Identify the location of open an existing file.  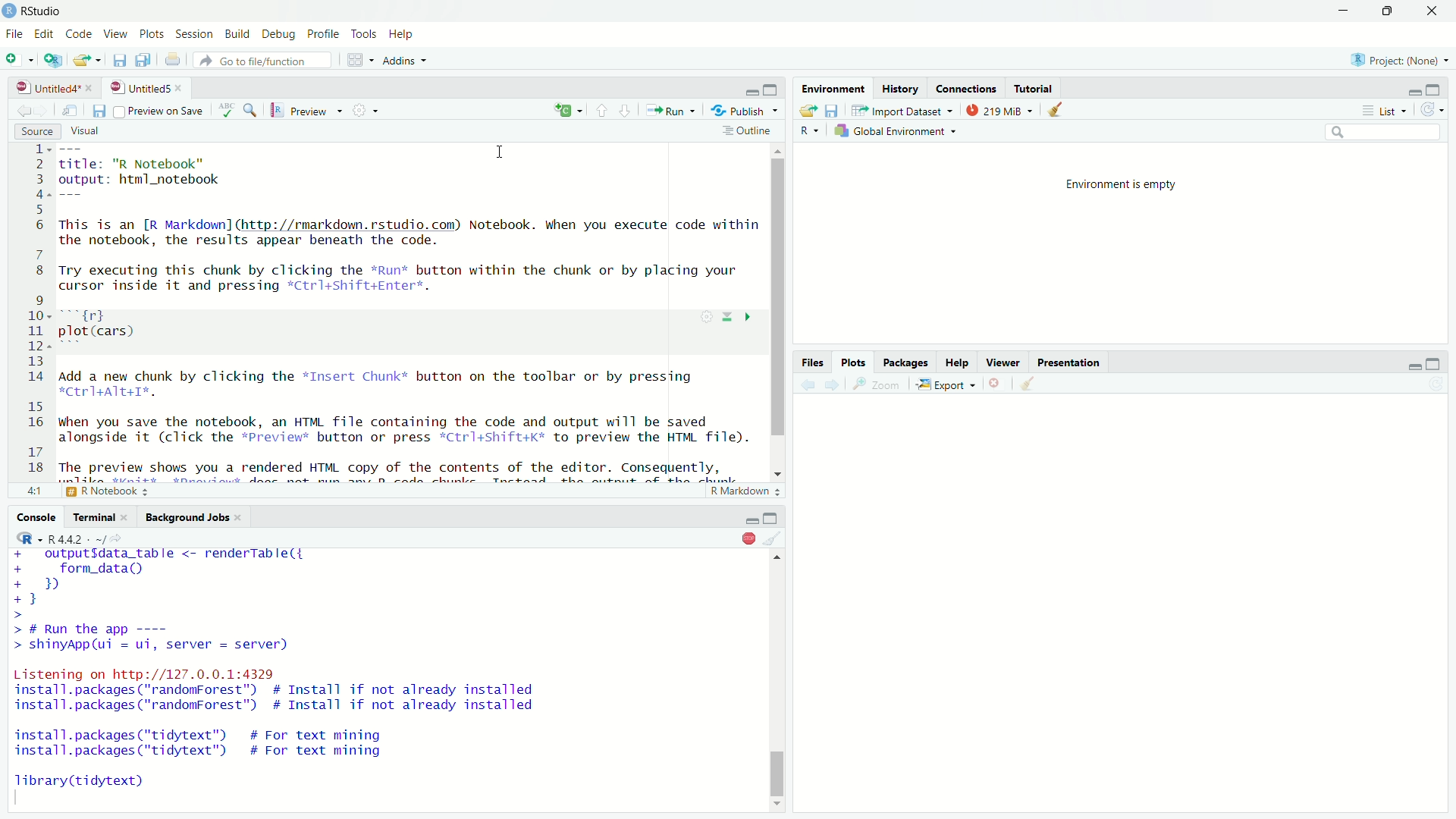
(88, 59).